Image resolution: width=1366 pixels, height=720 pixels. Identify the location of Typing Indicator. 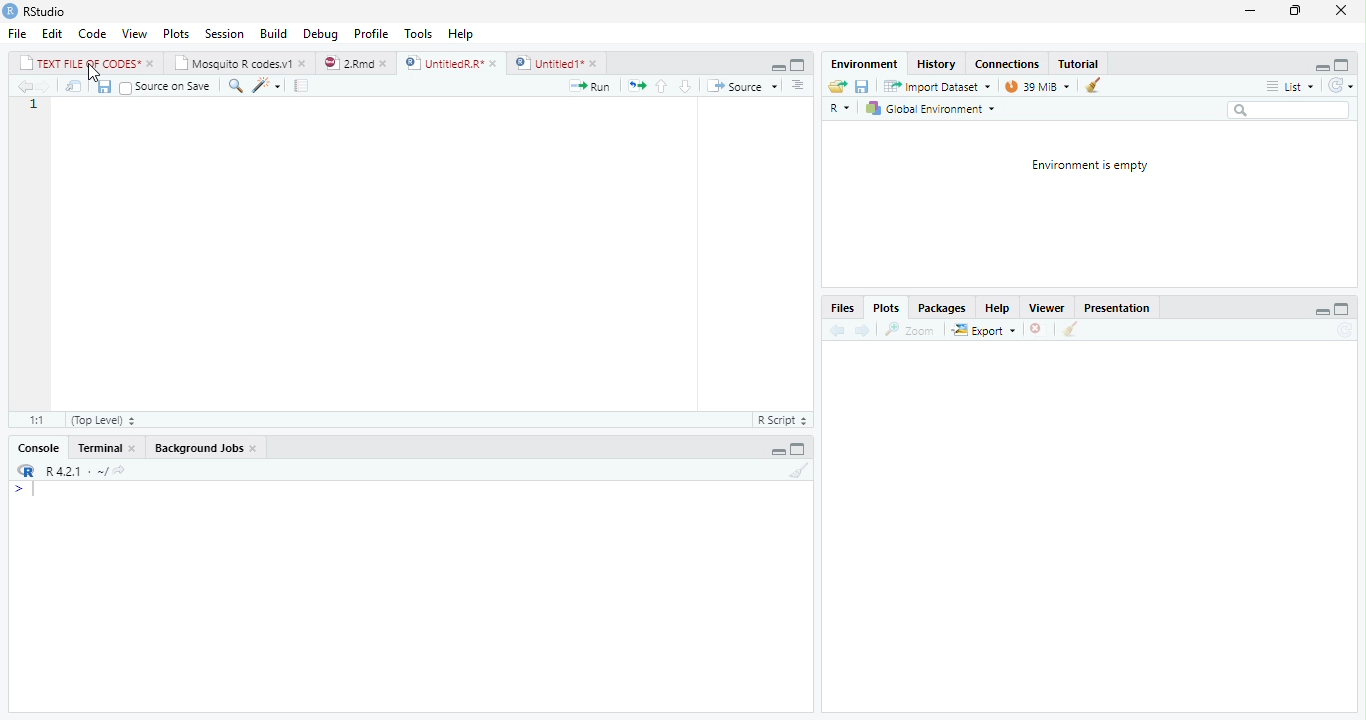
(23, 489).